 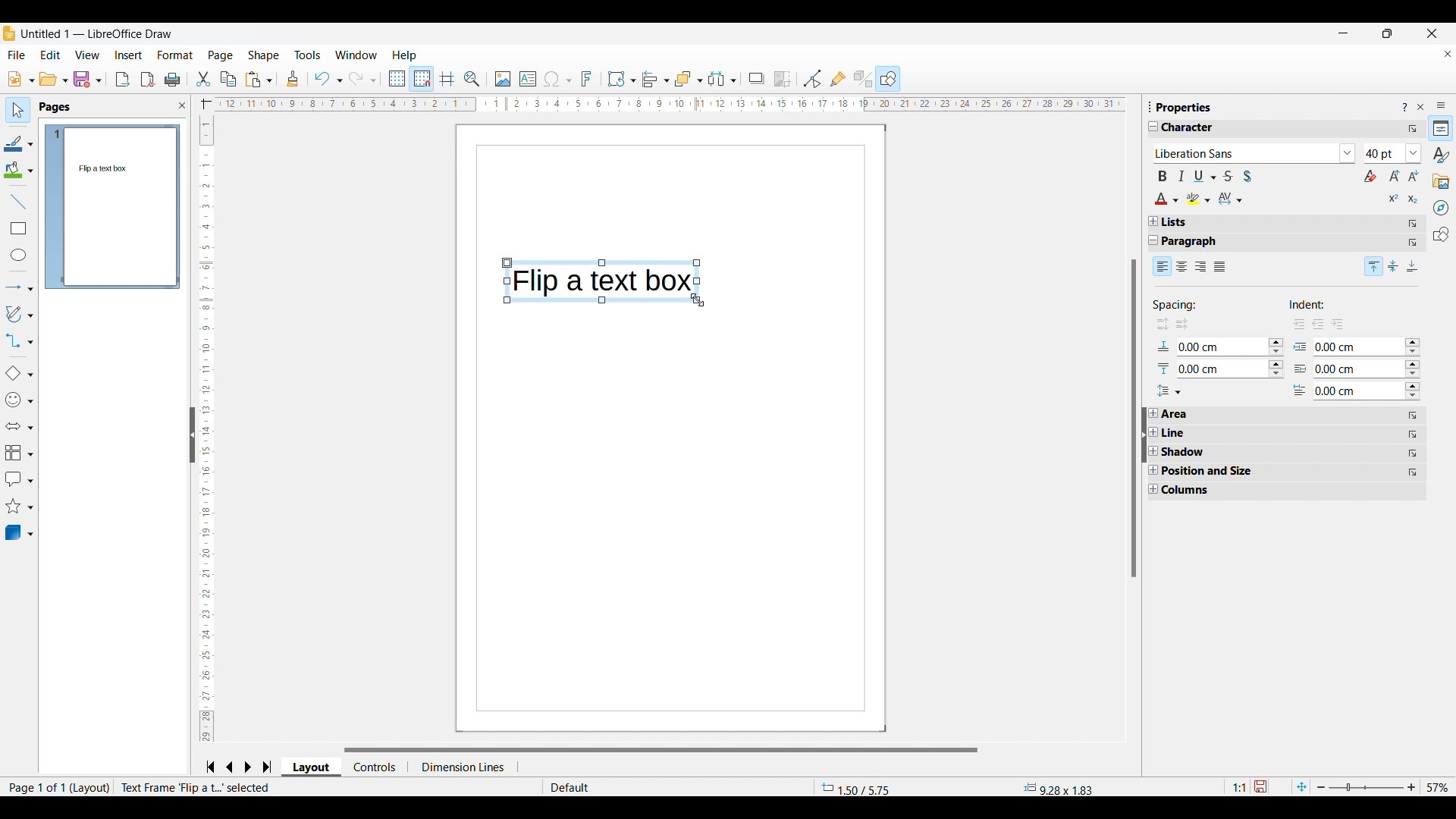 I want to click on Fill color options, so click(x=18, y=170).